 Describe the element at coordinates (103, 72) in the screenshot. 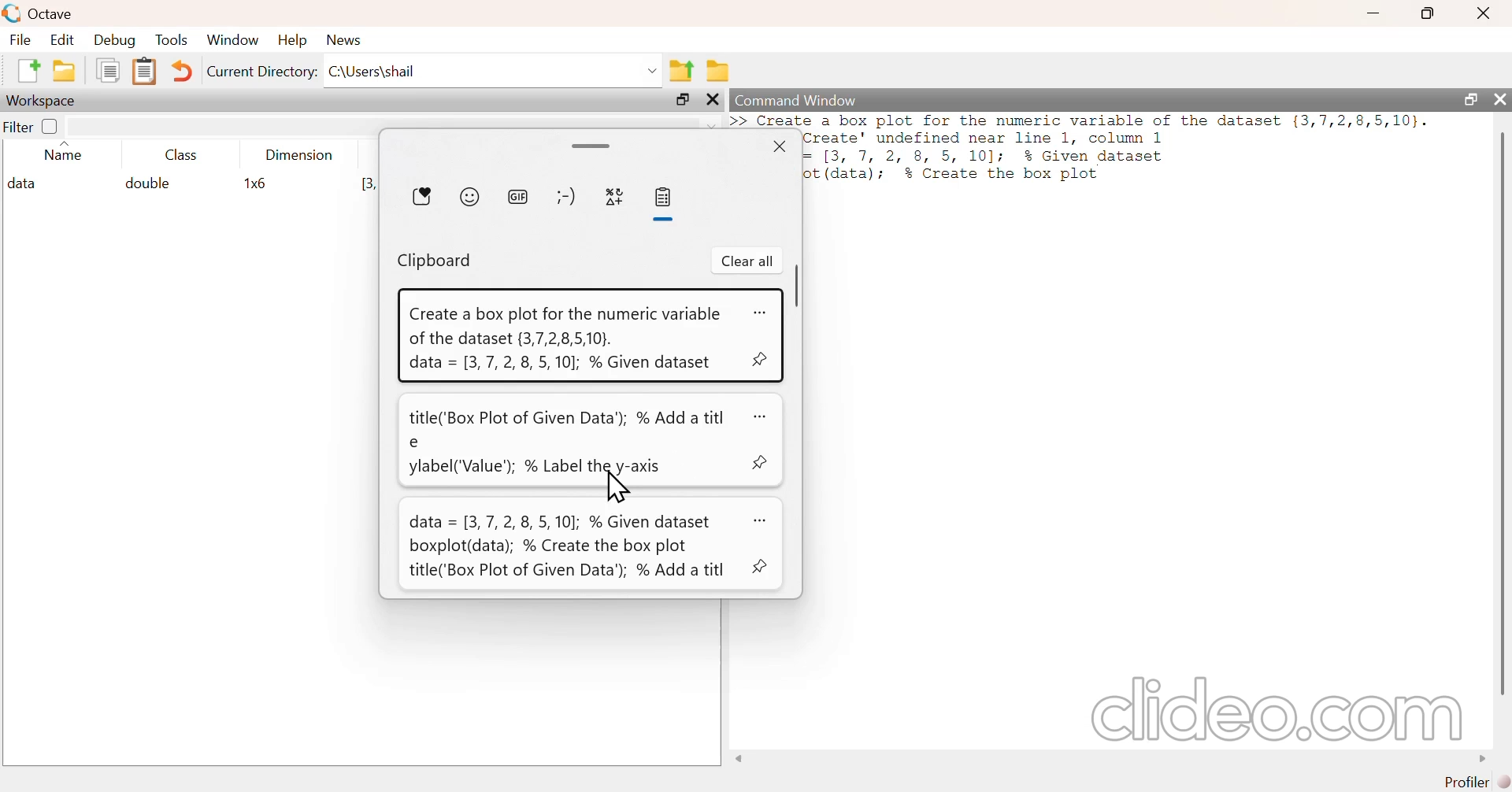

I see `copy` at that location.